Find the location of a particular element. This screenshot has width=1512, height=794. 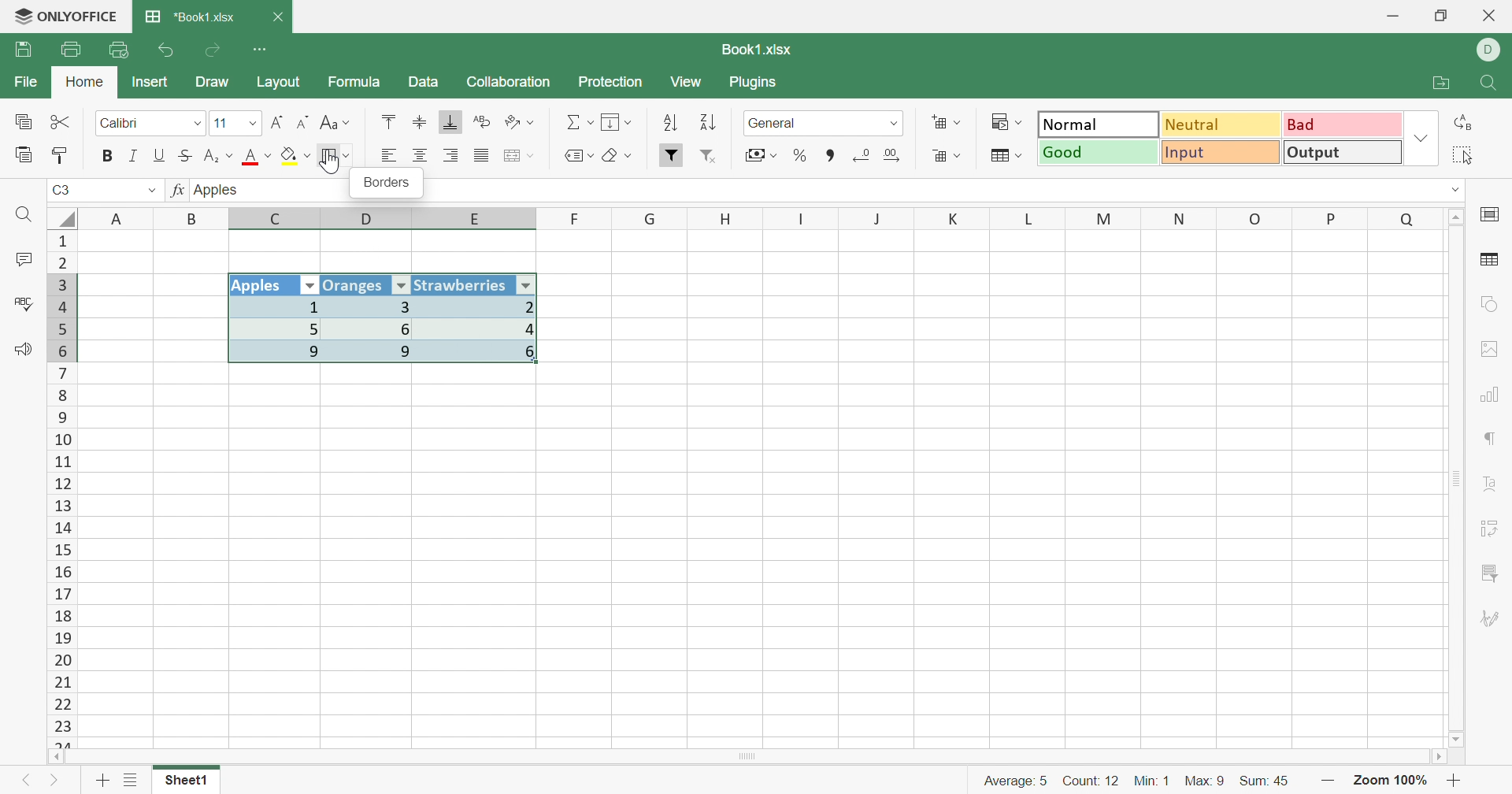

Justified is located at coordinates (480, 156).